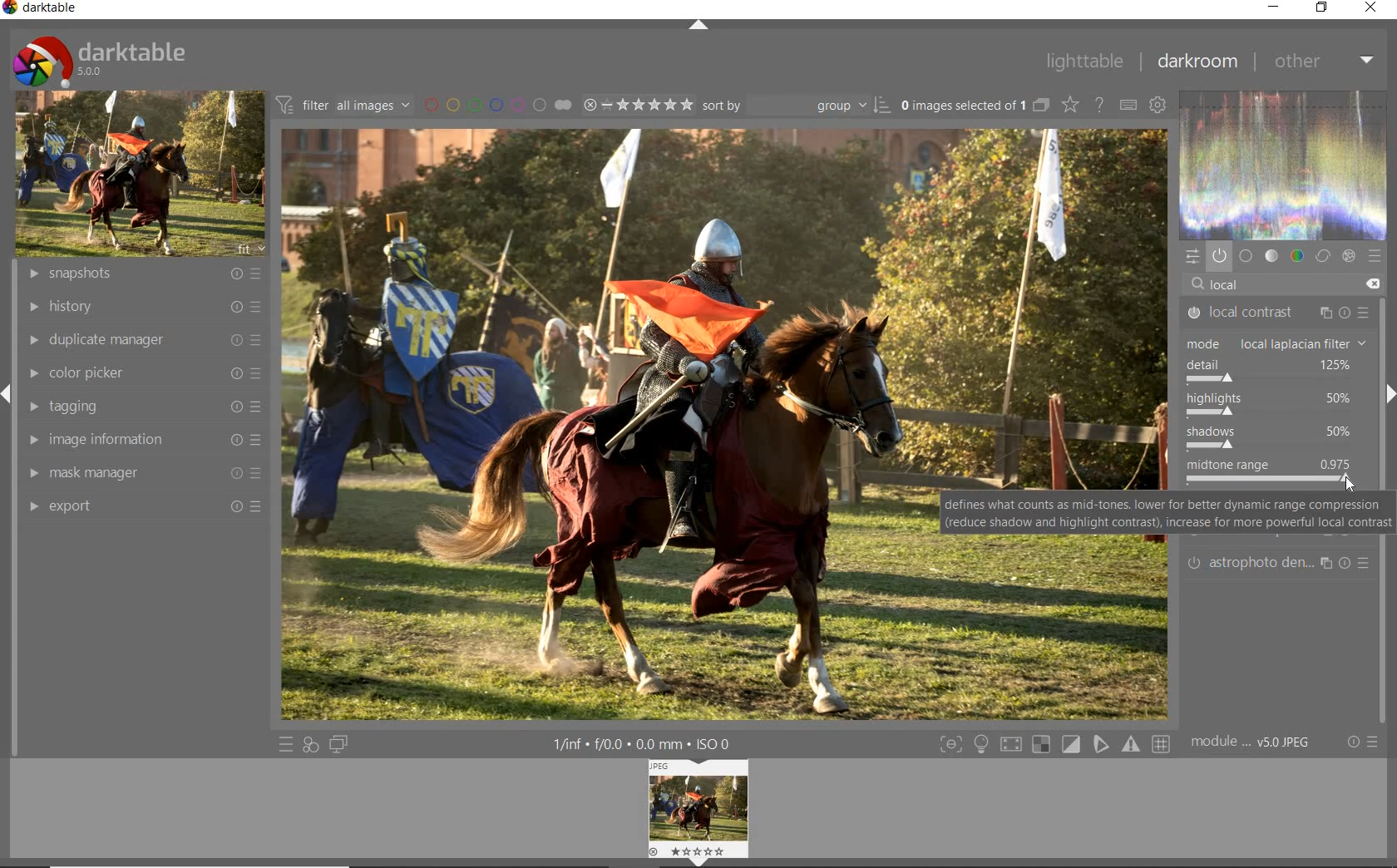  What do you see at coordinates (1375, 257) in the screenshot?
I see `presets` at bounding box center [1375, 257].